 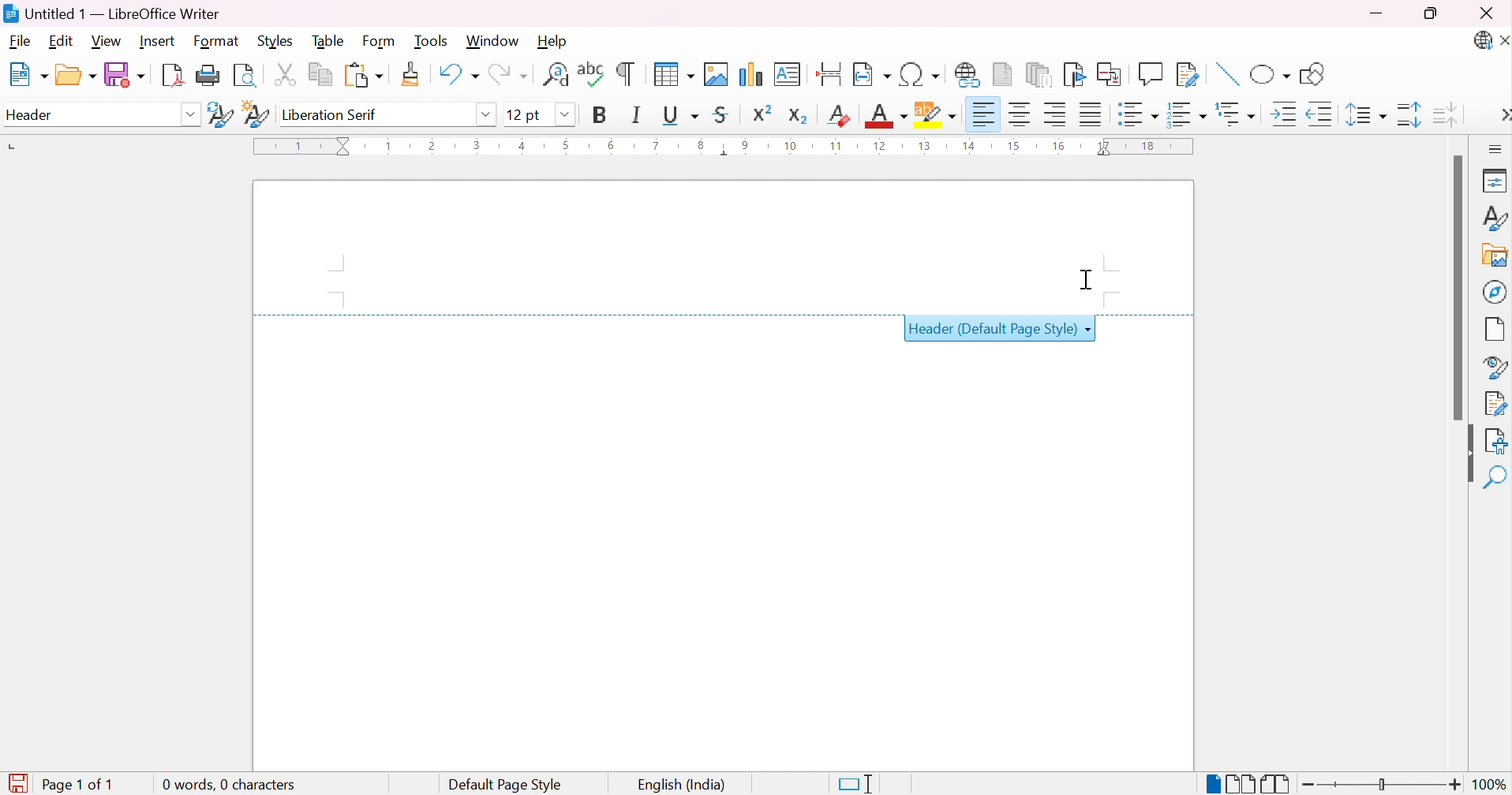 I want to click on Paste, so click(x=364, y=73).